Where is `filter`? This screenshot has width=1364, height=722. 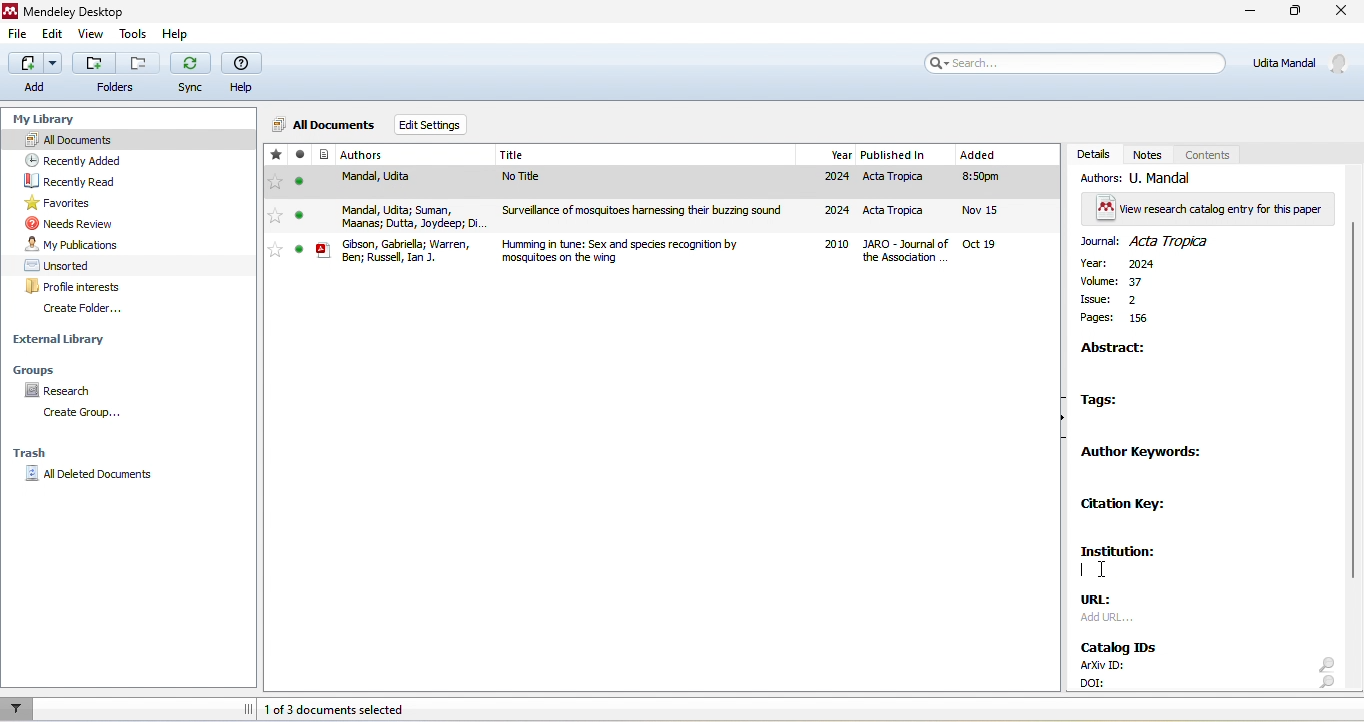
filter is located at coordinates (18, 709).